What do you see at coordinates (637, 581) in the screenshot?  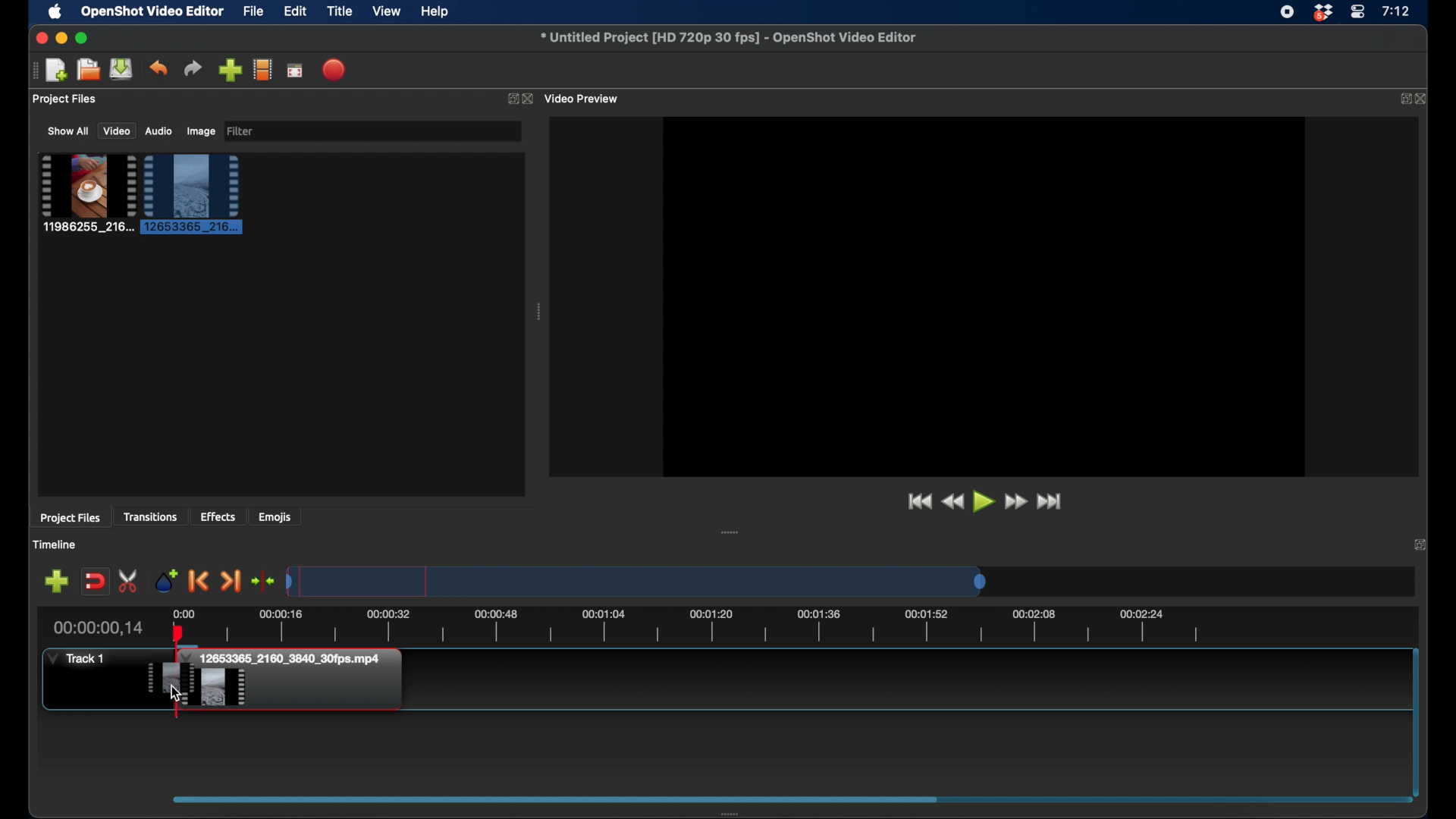 I see `timeline scale` at bounding box center [637, 581].